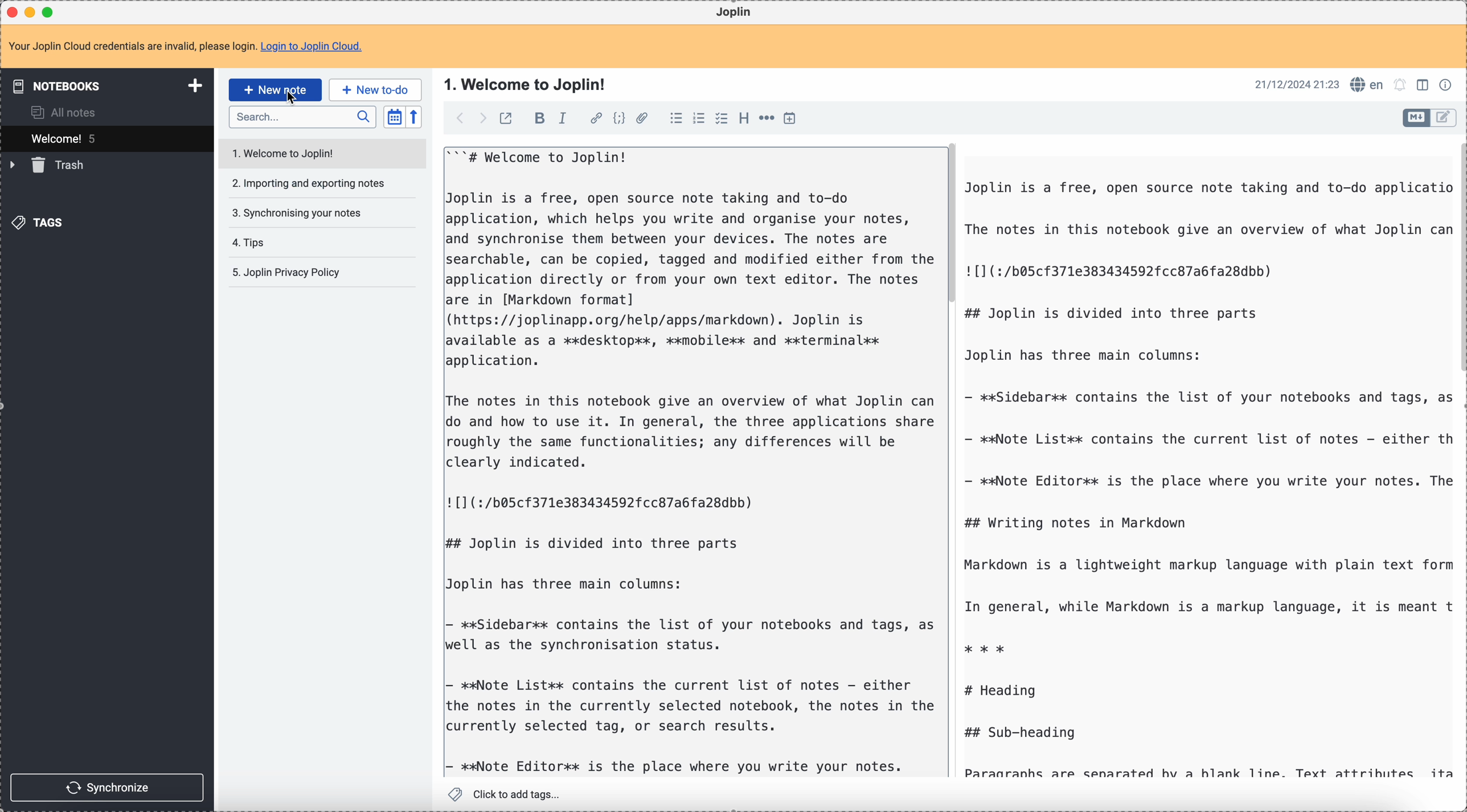  Describe the element at coordinates (323, 155) in the screenshot. I see `welcome to Joplin` at that location.